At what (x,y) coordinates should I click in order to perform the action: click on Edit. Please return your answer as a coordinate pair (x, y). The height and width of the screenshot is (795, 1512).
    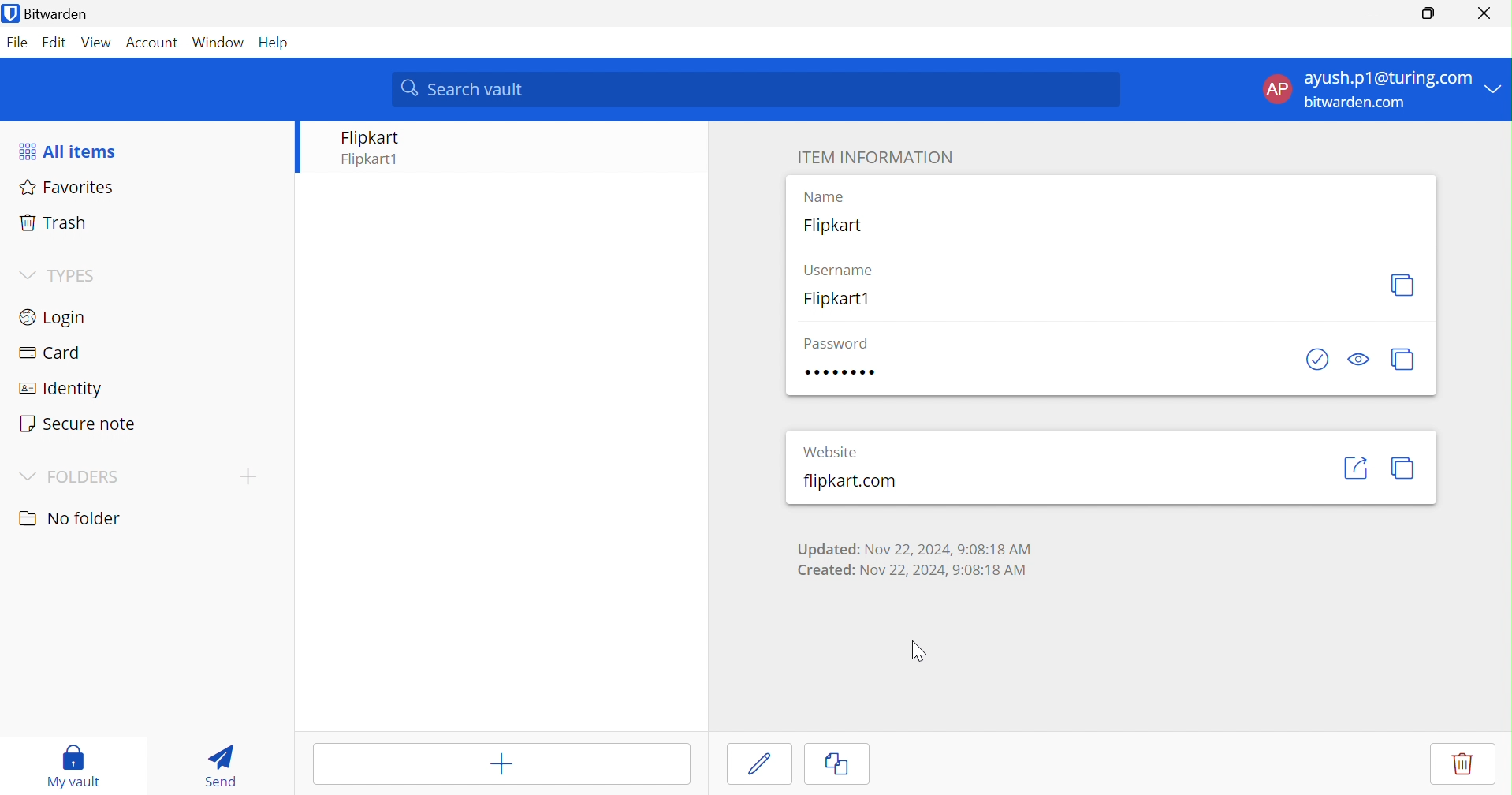
    Looking at the image, I should click on (51, 42).